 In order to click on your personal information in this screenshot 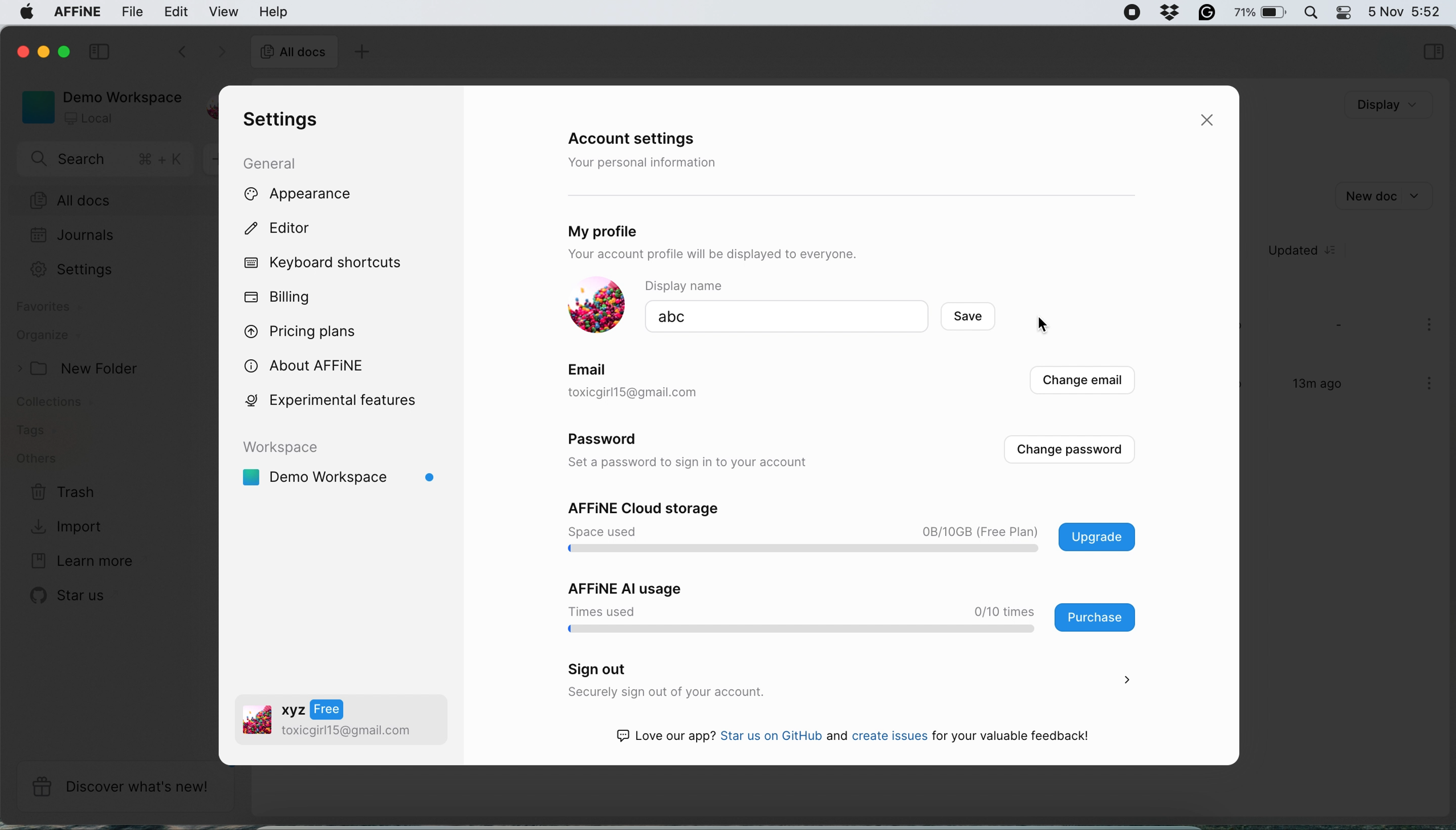, I will do `click(646, 162)`.